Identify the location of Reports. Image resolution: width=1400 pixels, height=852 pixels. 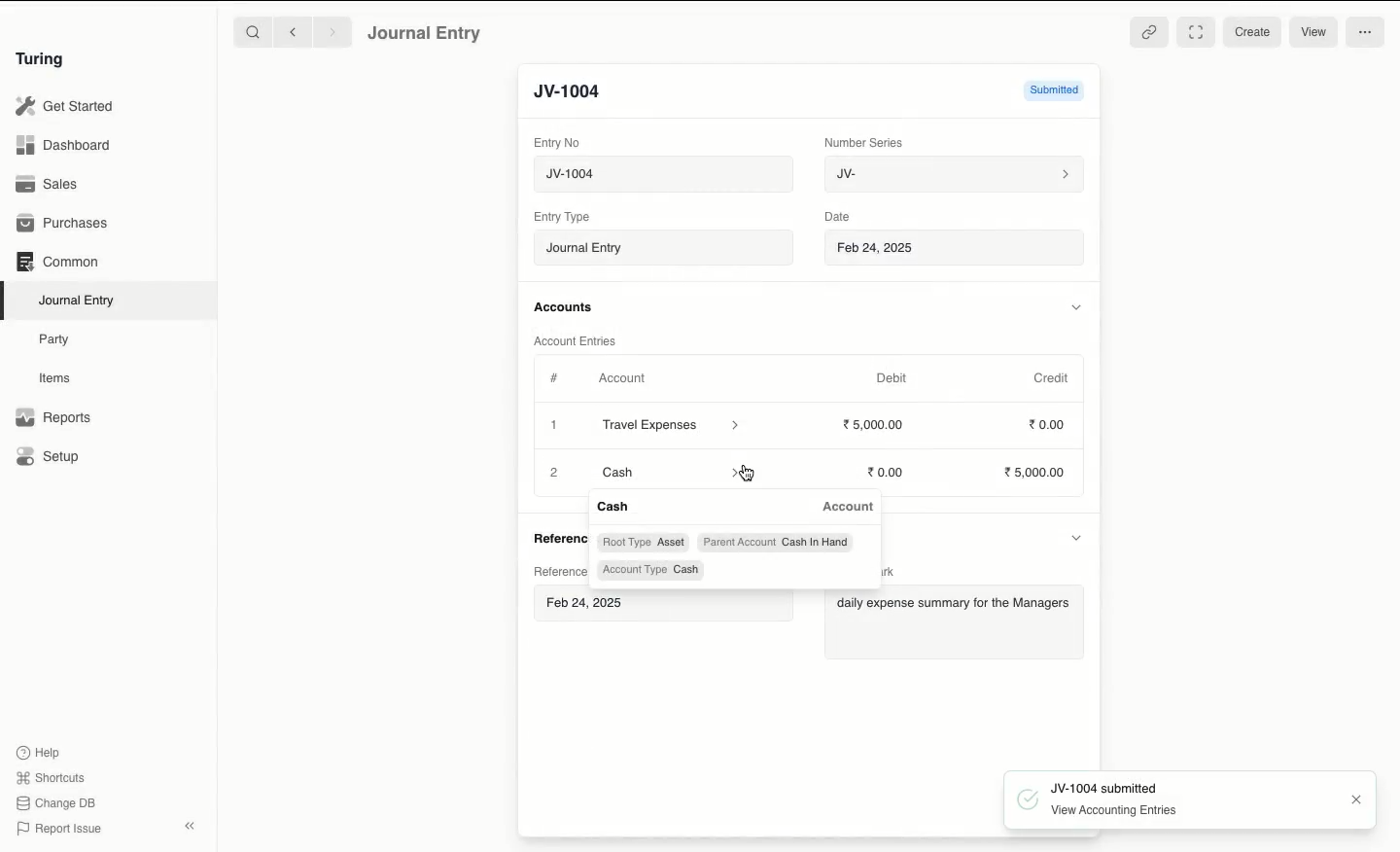
(53, 417).